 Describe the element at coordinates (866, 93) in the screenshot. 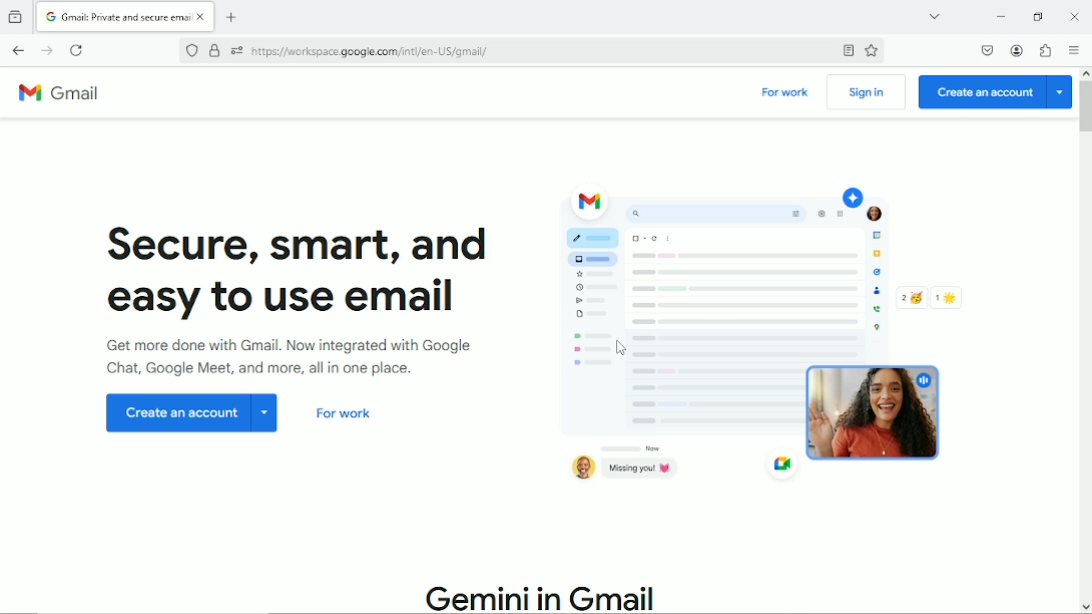

I see `Sign in` at that location.